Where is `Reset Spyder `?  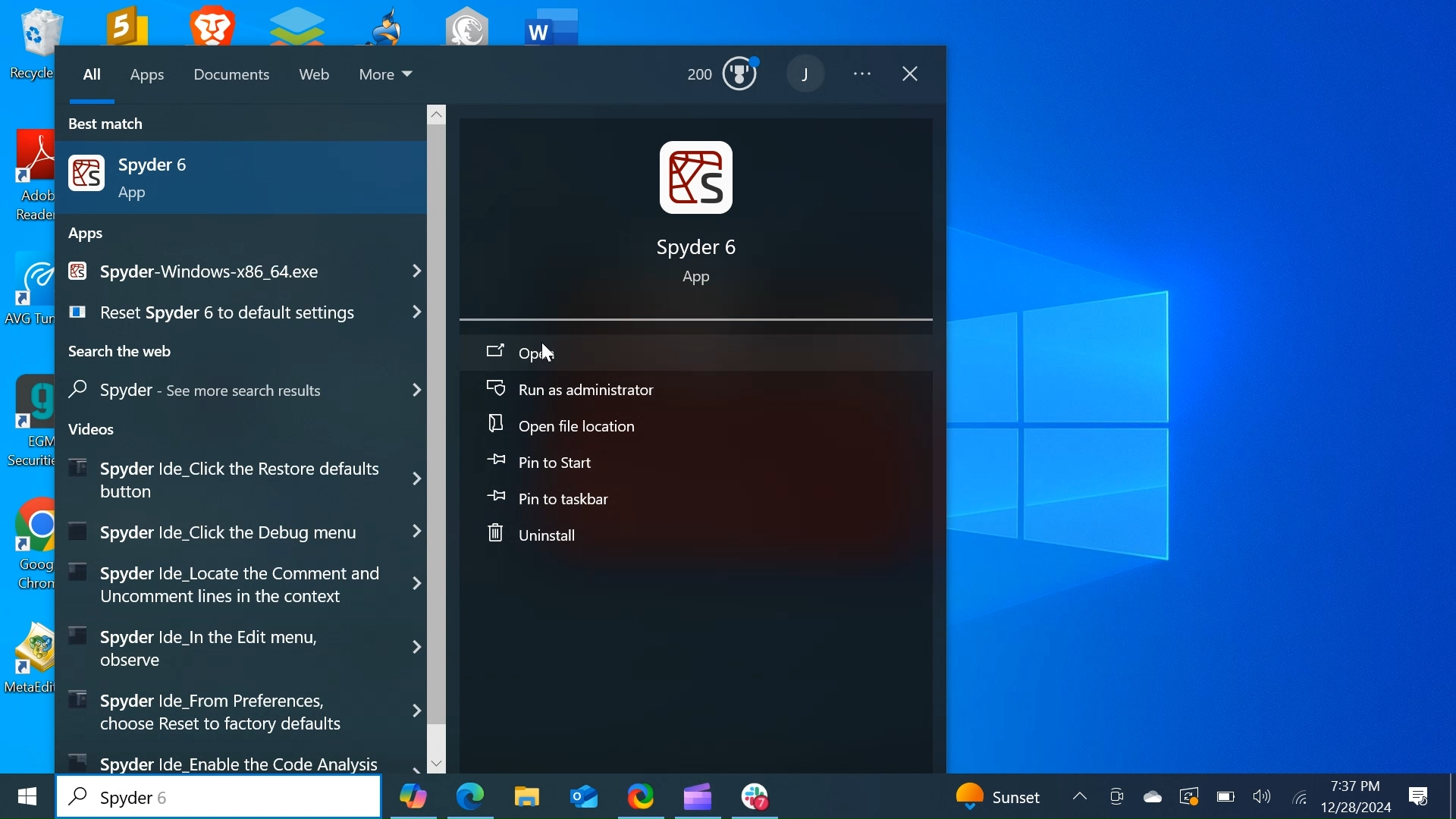 Reset Spyder  is located at coordinates (240, 312).